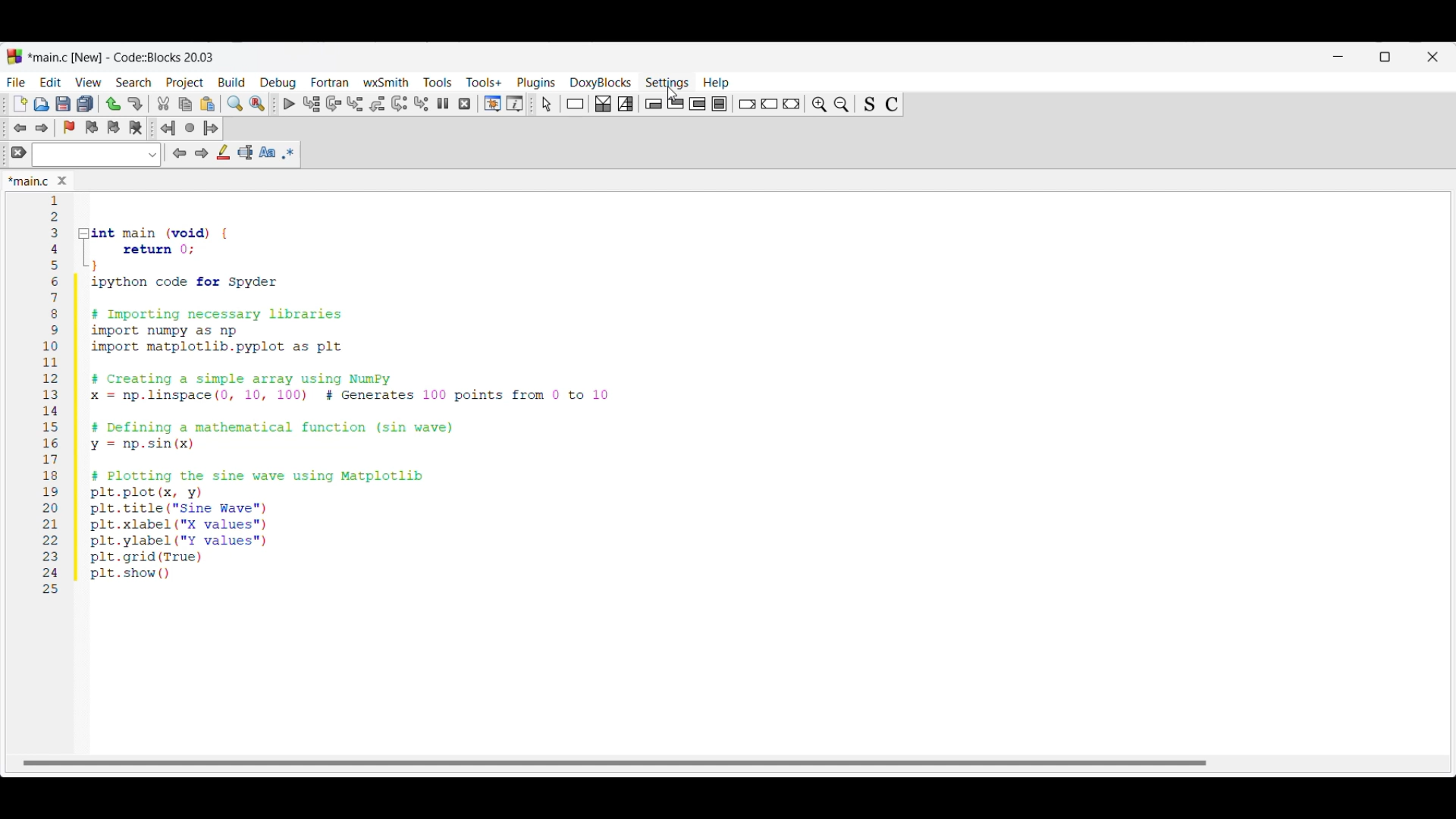  I want to click on Tools+ menu, so click(484, 82).